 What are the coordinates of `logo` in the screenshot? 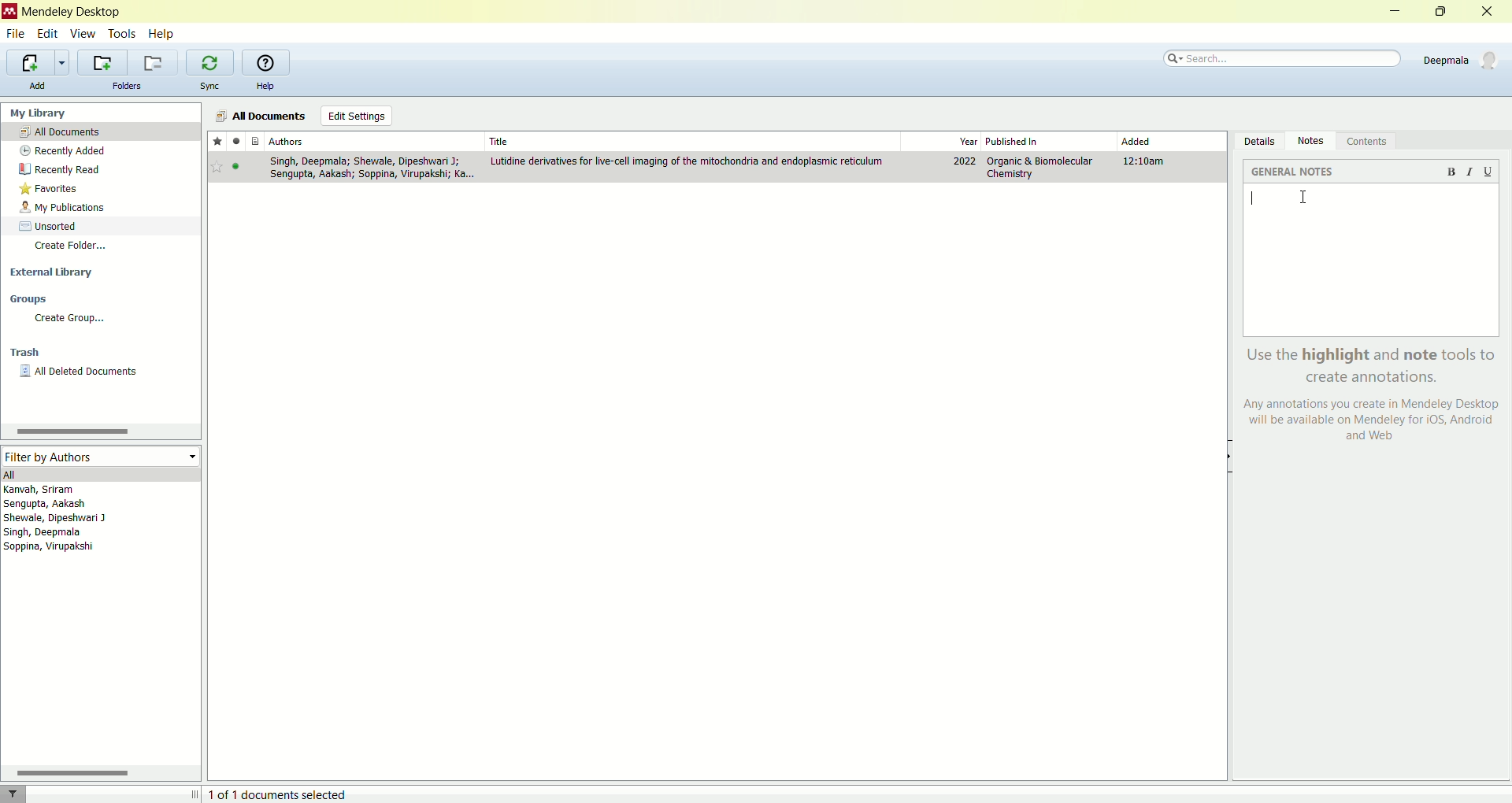 It's located at (9, 12).